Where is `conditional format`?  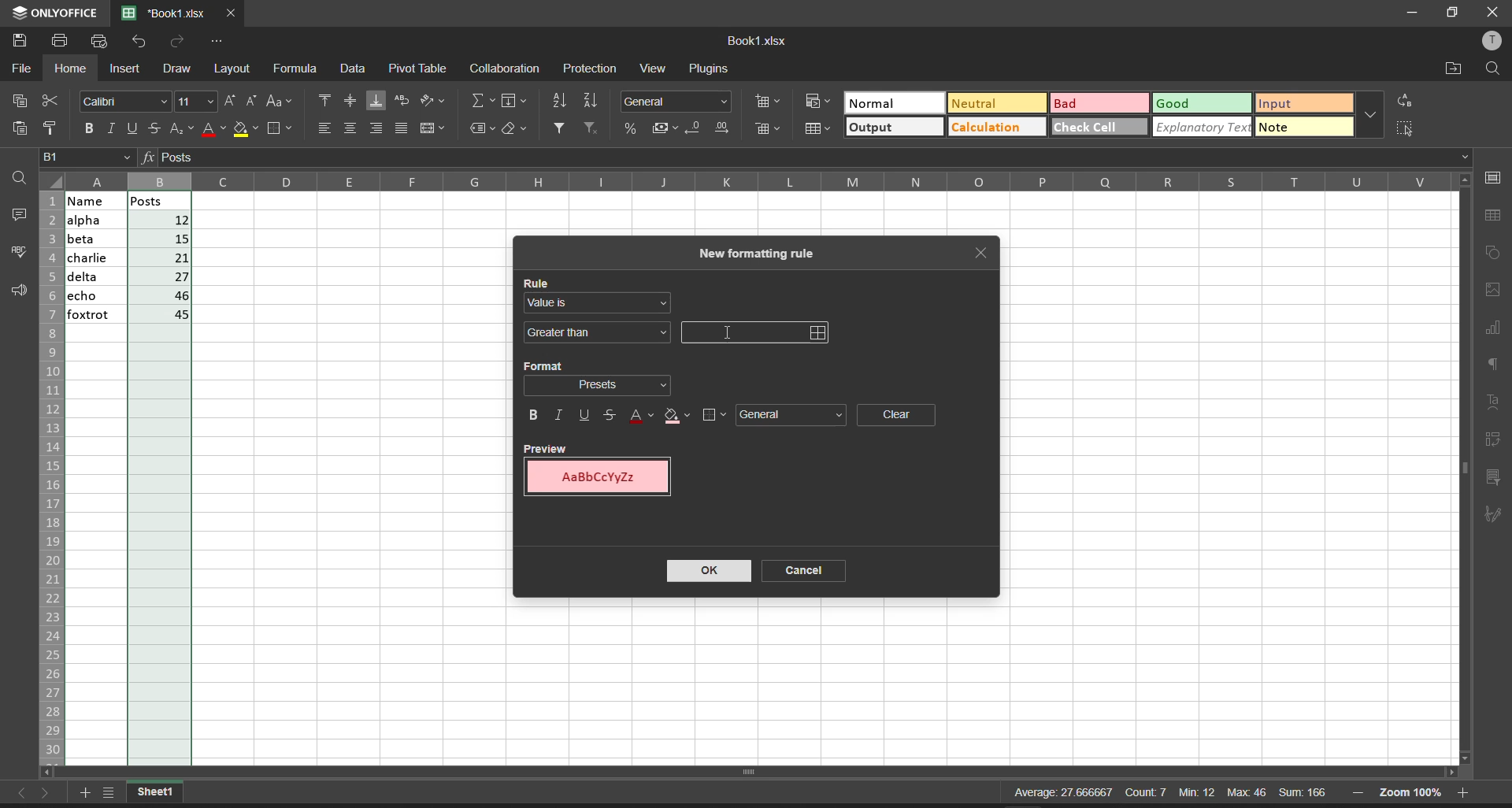
conditional format is located at coordinates (822, 102).